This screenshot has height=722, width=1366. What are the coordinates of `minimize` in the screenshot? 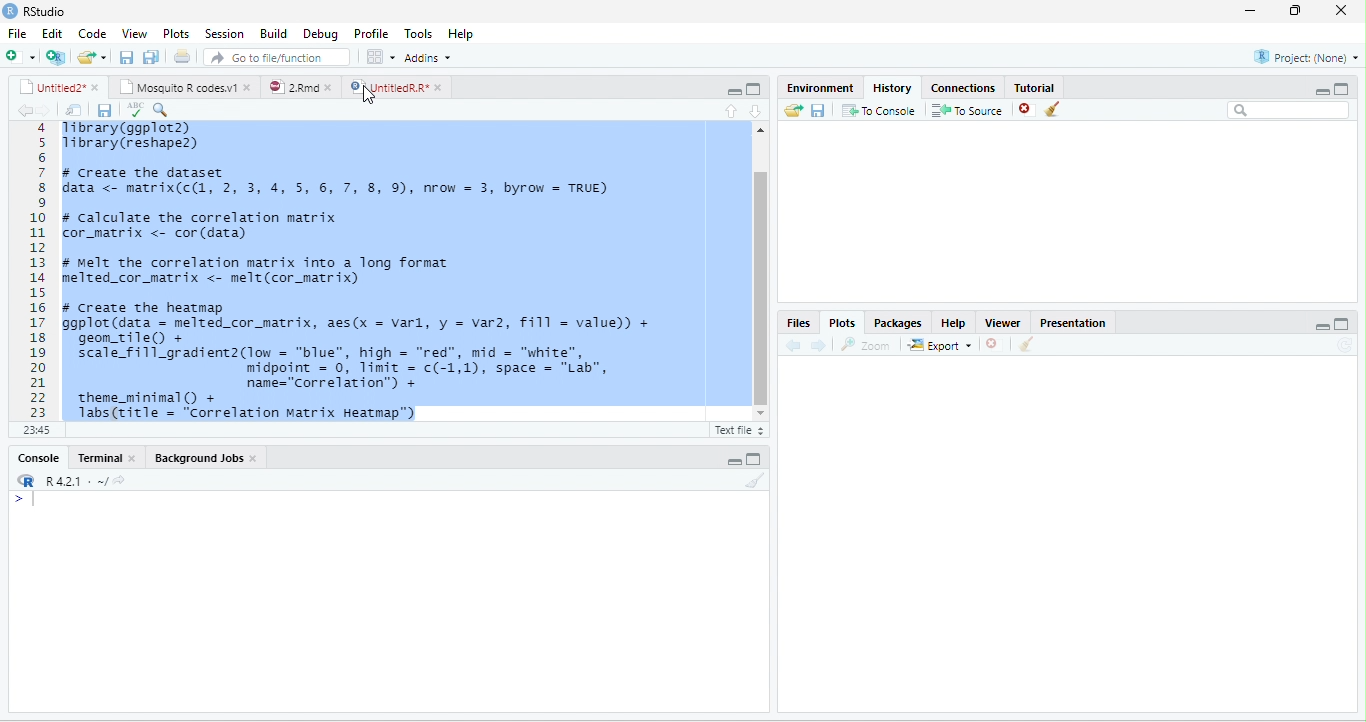 It's located at (1248, 11).